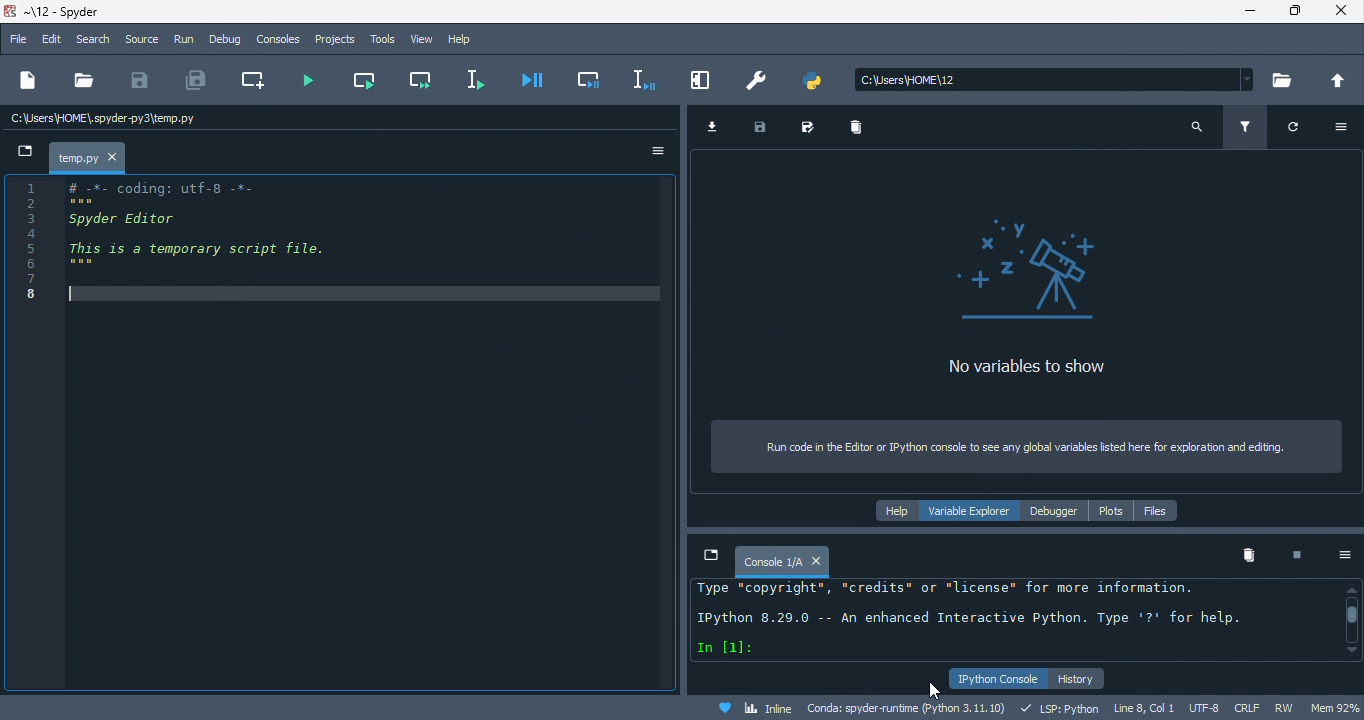 This screenshot has height=720, width=1364. I want to click on run selection, so click(468, 81).